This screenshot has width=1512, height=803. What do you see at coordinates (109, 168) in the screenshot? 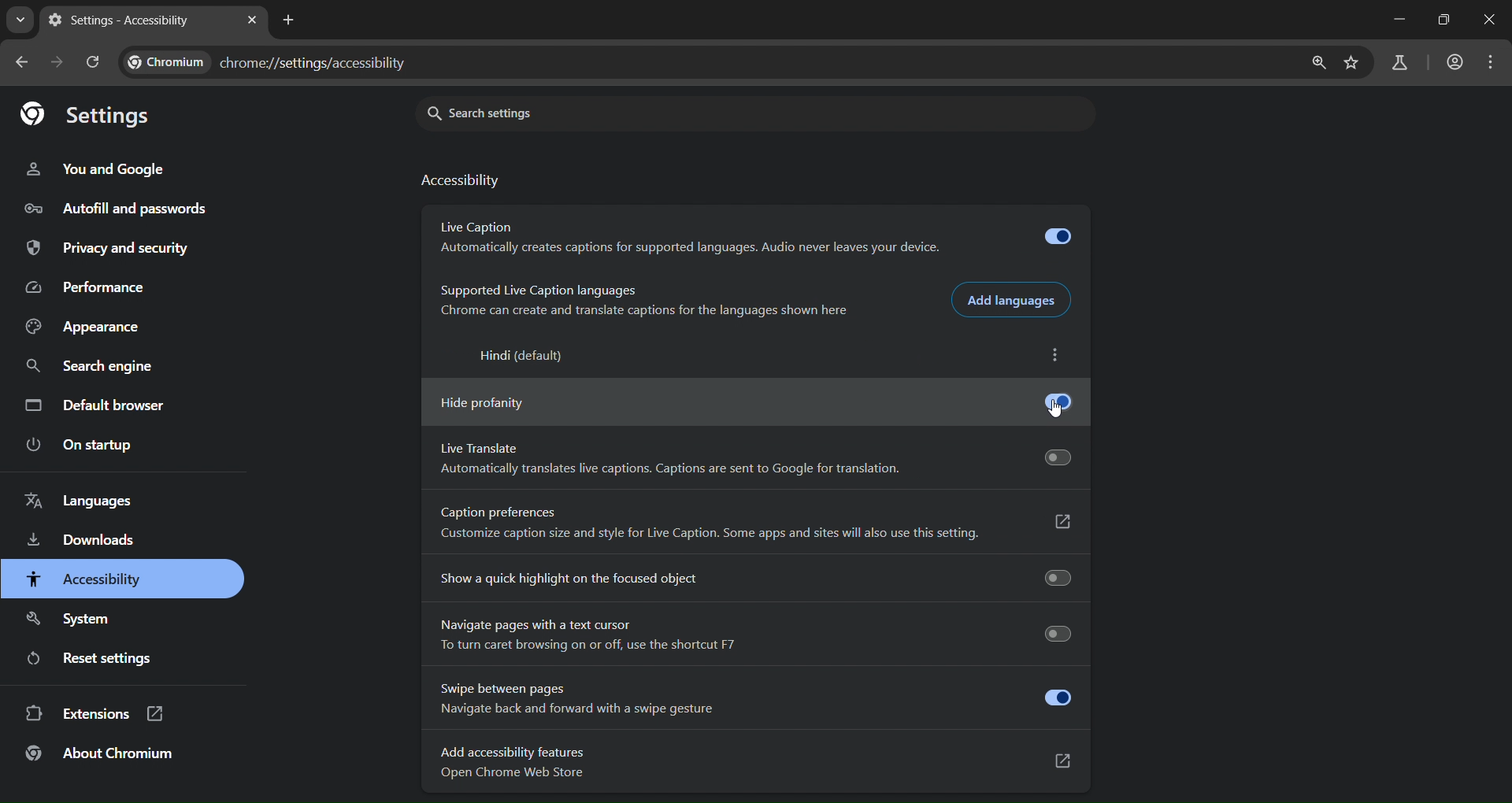
I see `you and google` at bounding box center [109, 168].